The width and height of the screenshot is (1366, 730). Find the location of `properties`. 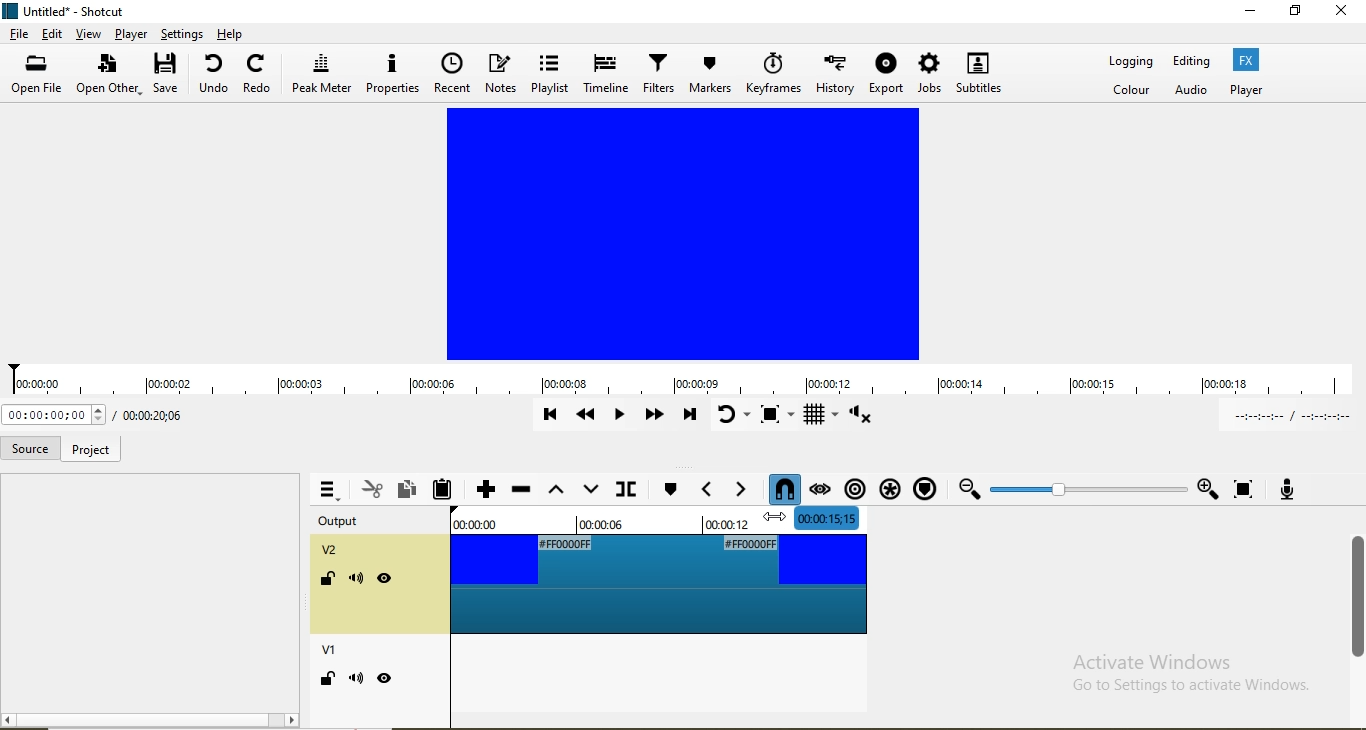

properties is located at coordinates (392, 74).